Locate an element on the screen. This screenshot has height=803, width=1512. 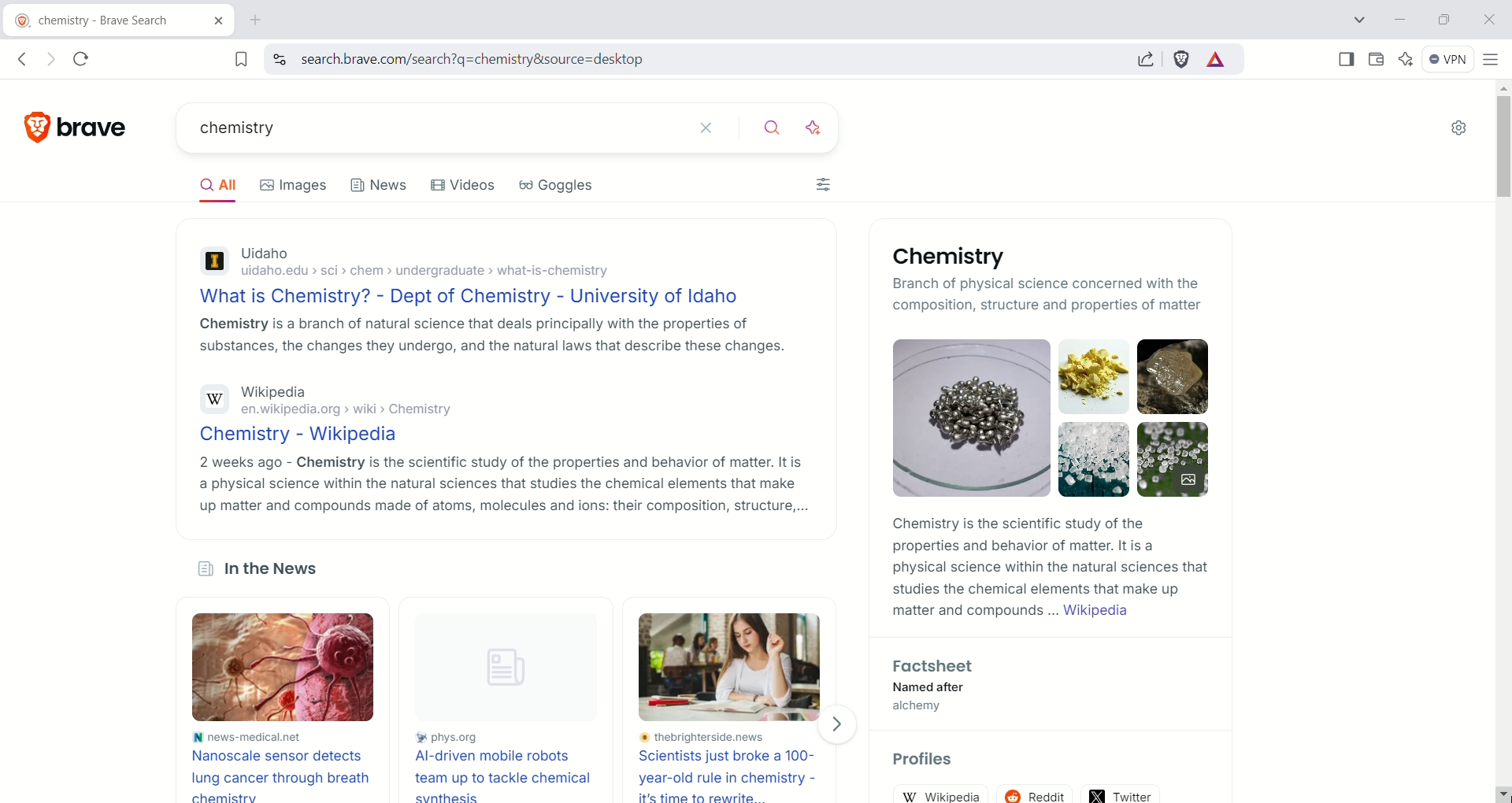
answer with AI is located at coordinates (823, 125).